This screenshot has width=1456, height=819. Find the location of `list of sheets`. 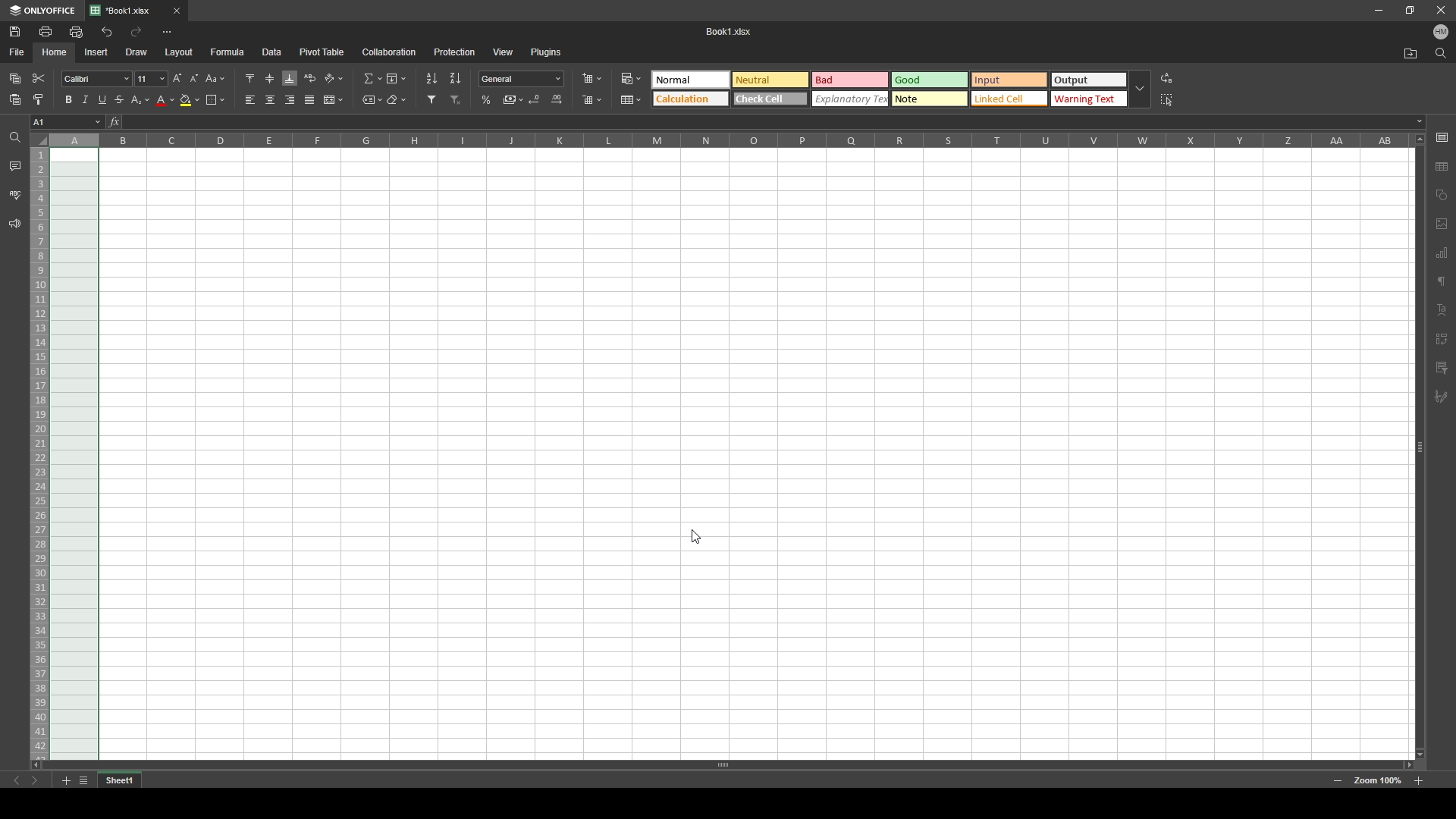

list of sheets is located at coordinates (83, 781).